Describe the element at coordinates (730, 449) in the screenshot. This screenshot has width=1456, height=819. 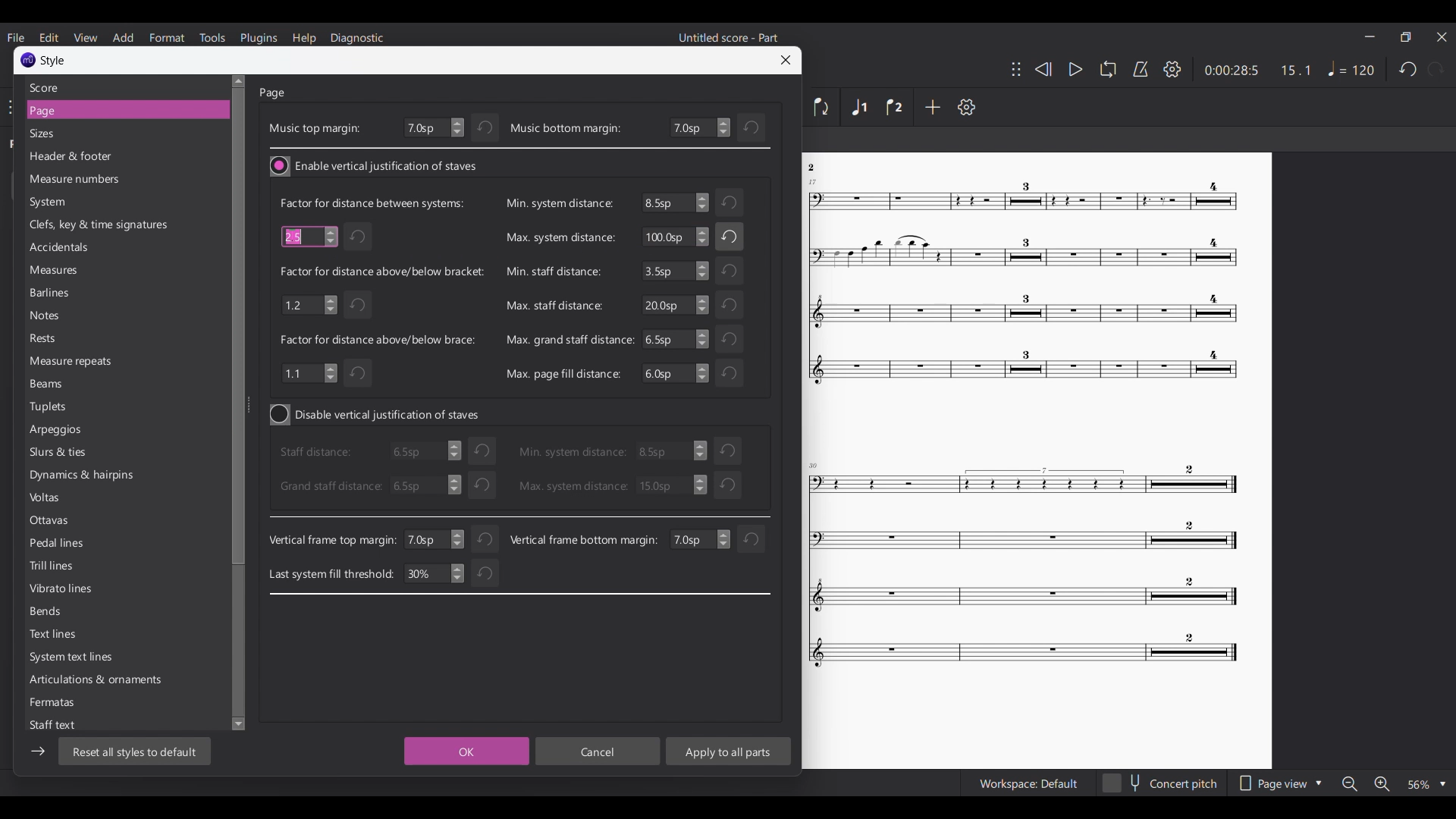
I see `reset` at that location.